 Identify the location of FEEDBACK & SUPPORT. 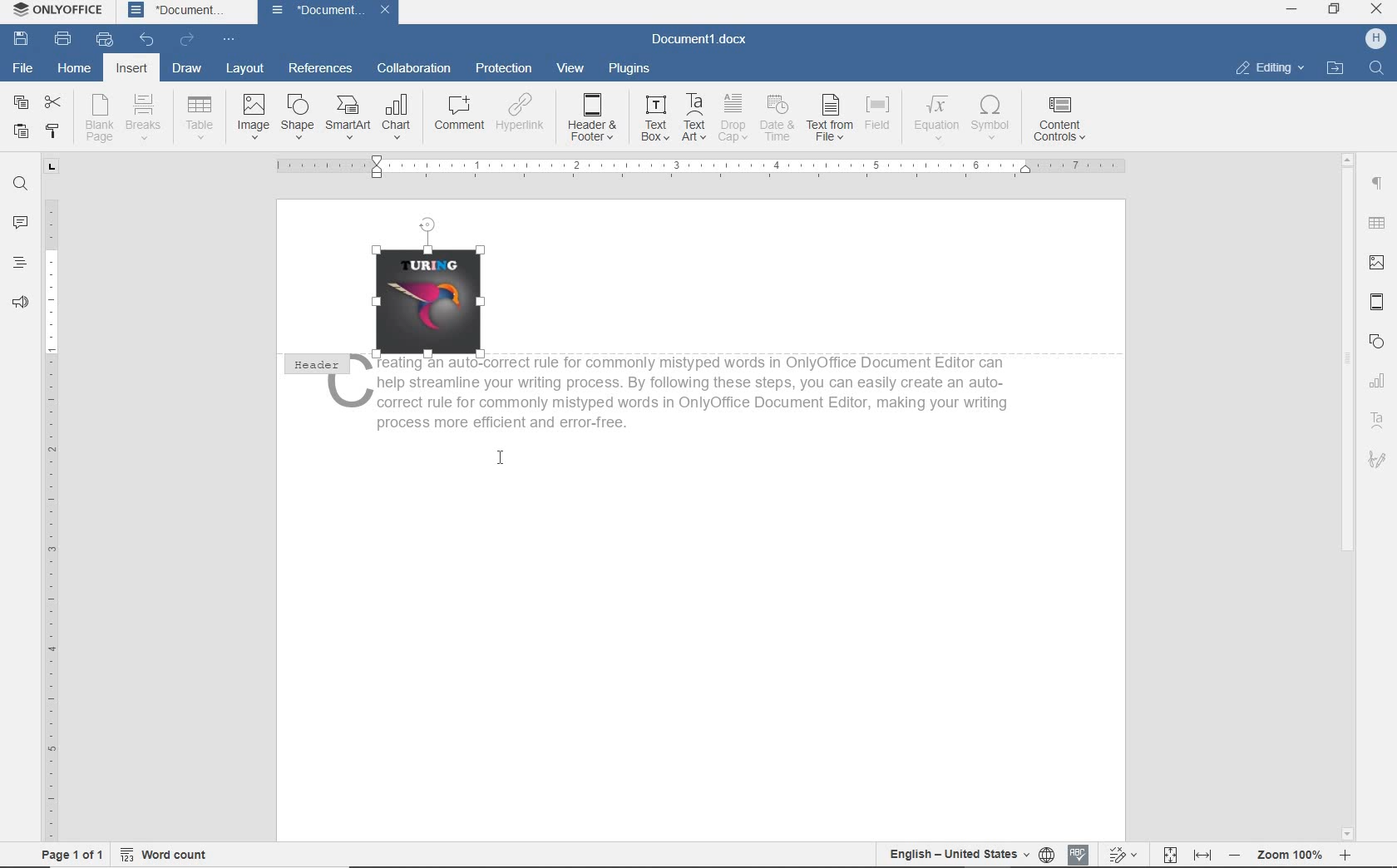
(21, 300).